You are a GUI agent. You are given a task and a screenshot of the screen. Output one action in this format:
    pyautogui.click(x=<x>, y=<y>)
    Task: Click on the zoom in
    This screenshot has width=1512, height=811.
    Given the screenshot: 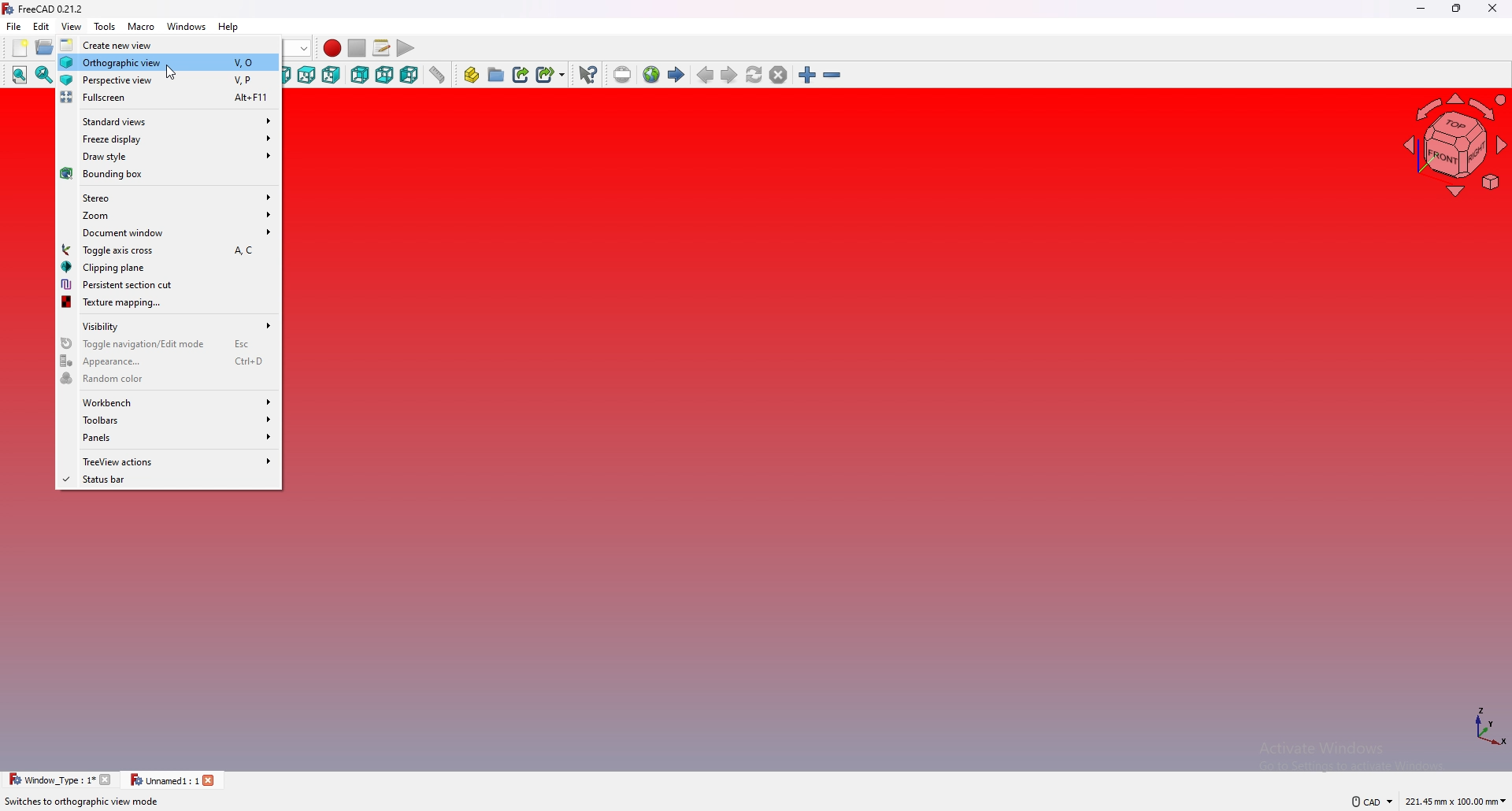 What is the action you would take?
    pyautogui.click(x=807, y=75)
    